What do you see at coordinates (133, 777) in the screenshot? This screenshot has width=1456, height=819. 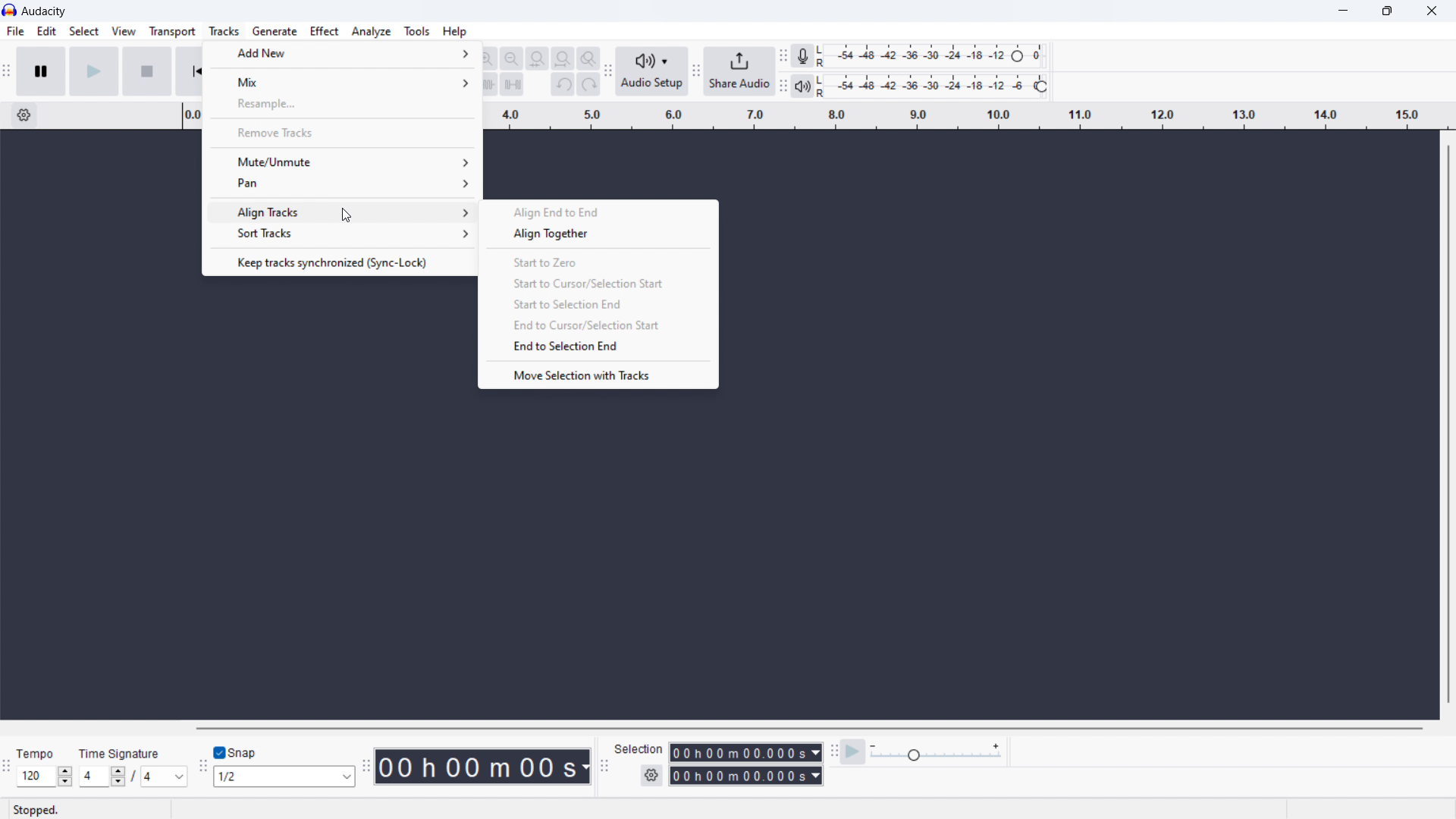 I see `time signature` at bounding box center [133, 777].